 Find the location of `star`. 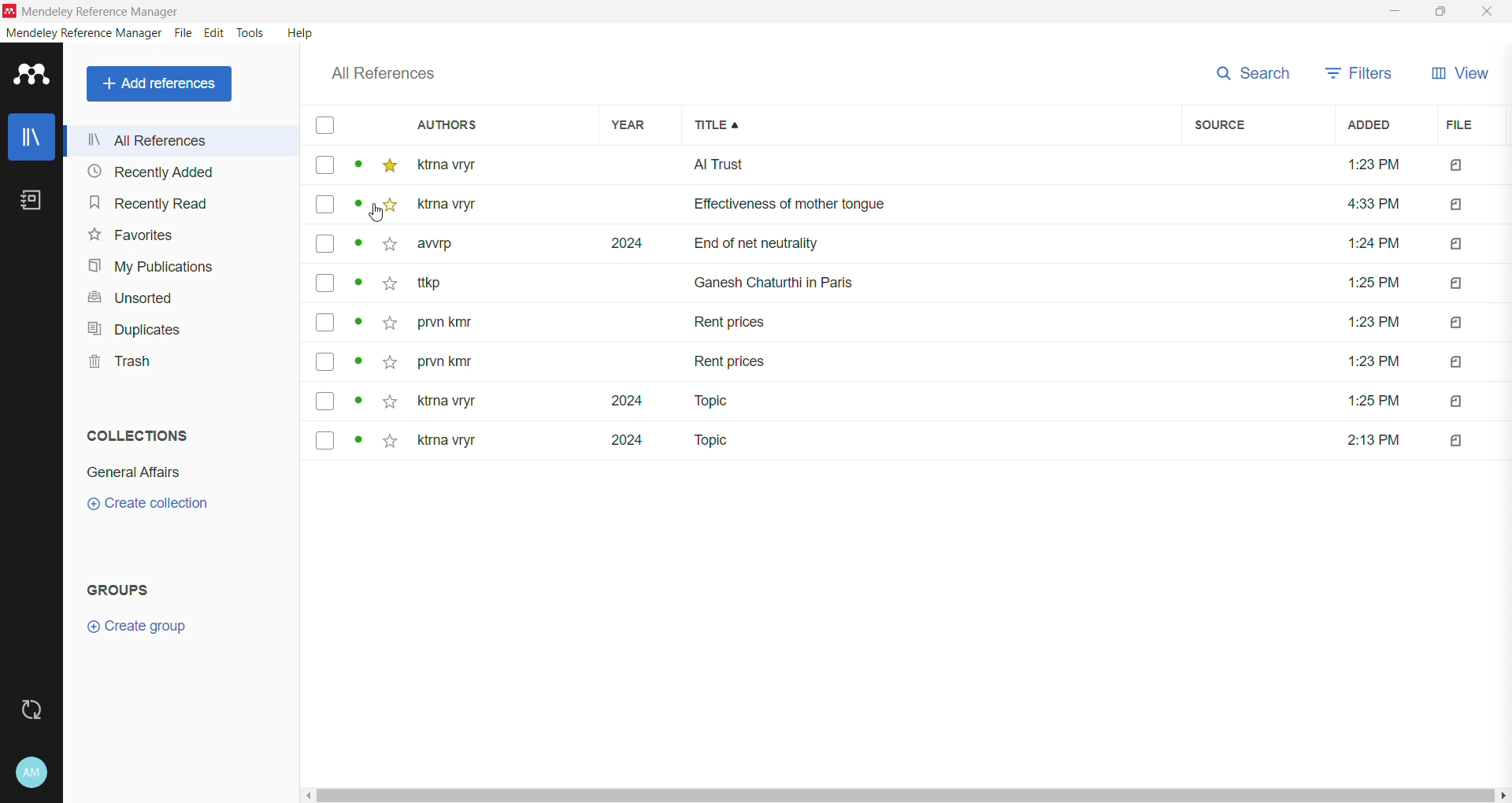

star is located at coordinates (384, 250).